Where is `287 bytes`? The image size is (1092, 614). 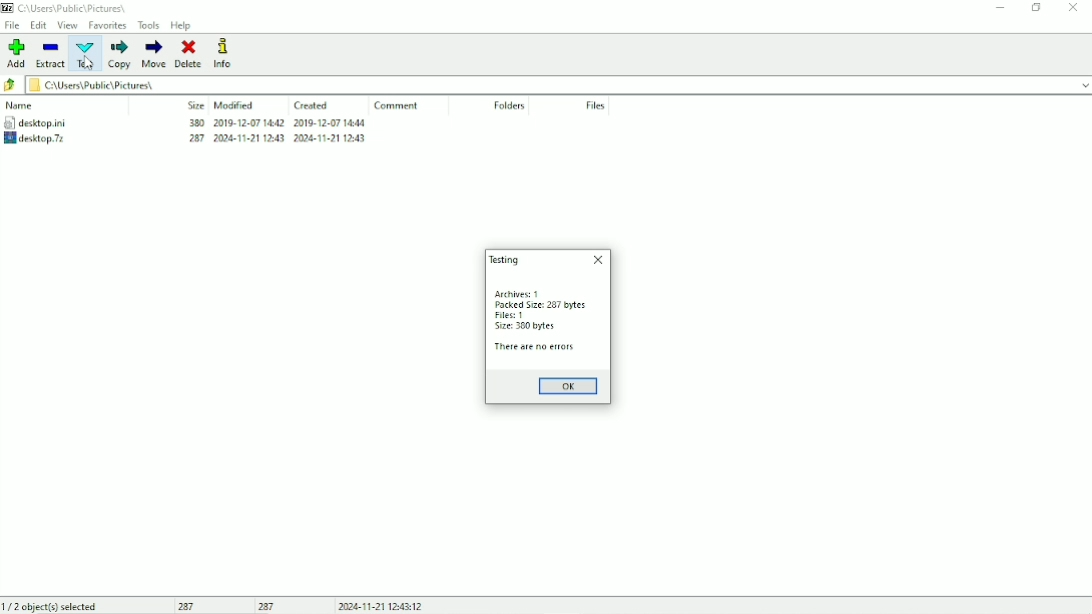
287 bytes is located at coordinates (573, 306).